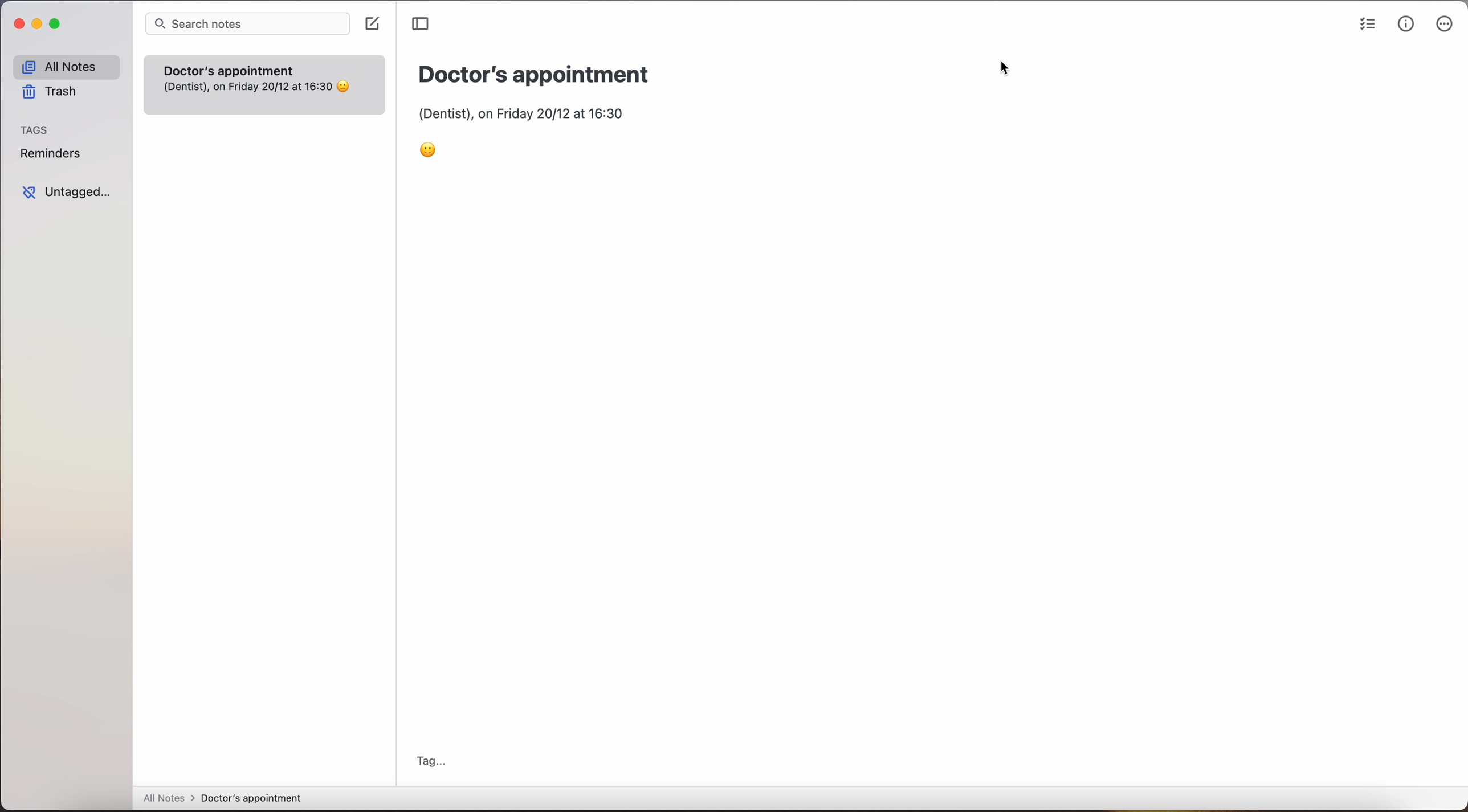 This screenshot has width=1468, height=812. I want to click on trash, so click(51, 92).